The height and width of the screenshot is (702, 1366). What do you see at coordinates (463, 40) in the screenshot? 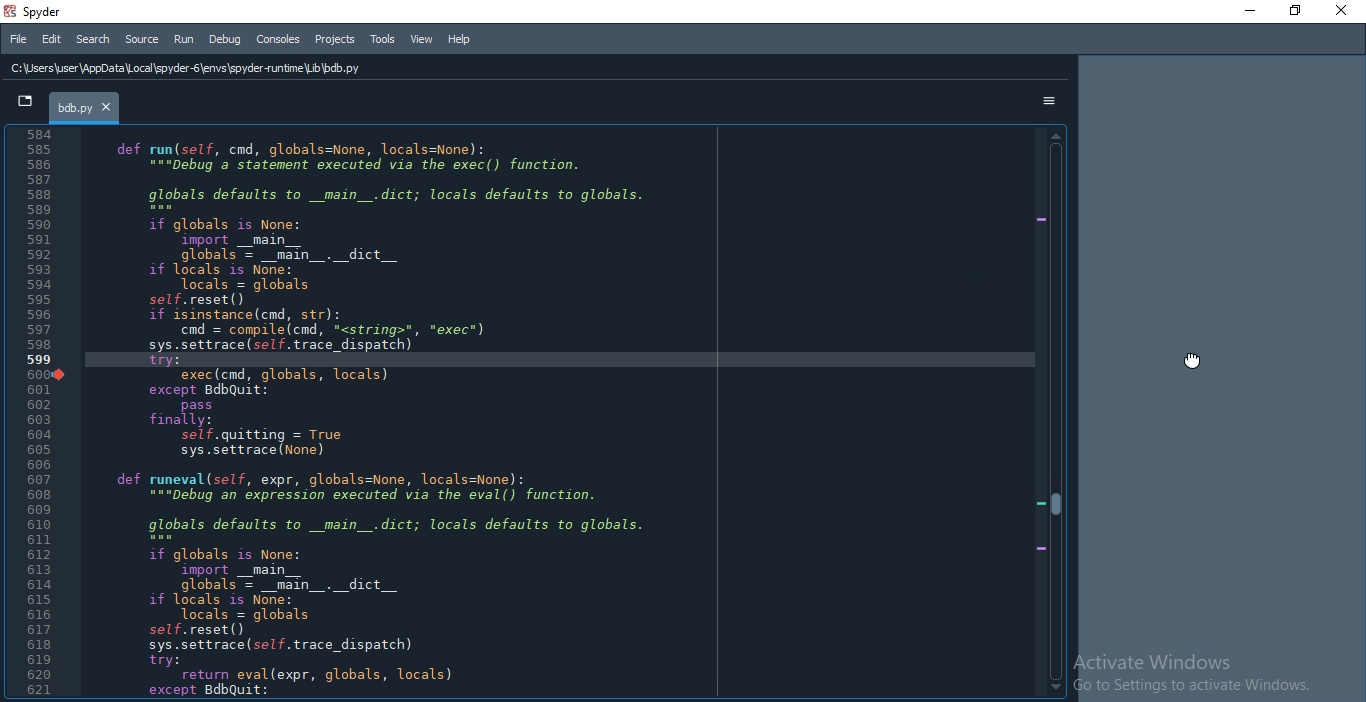
I see `Help` at bounding box center [463, 40].